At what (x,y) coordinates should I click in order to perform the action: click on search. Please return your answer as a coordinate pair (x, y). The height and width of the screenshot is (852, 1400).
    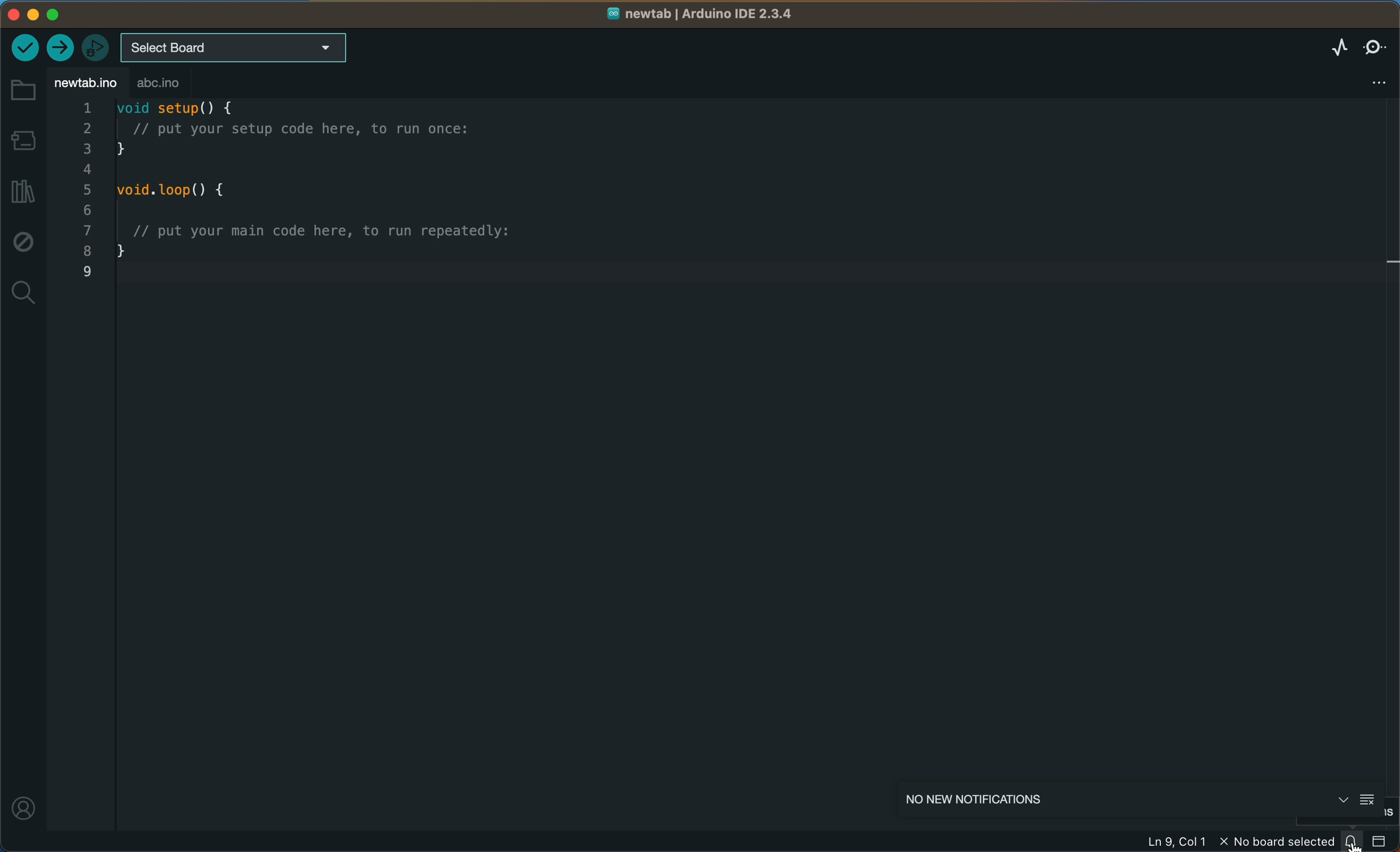
    Looking at the image, I should click on (21, 293).